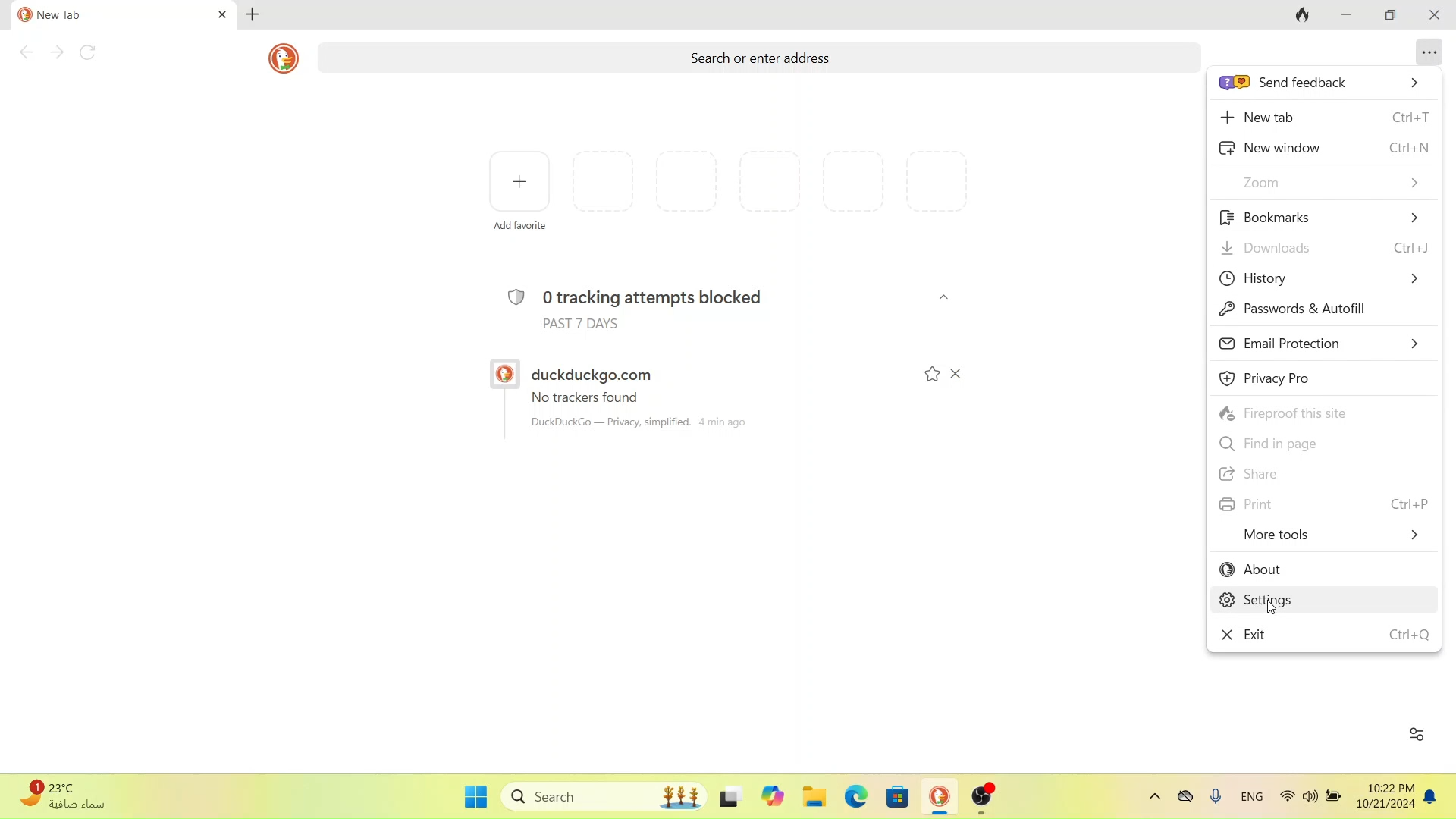 Image resolution: width=1456 pixels, height=819 pixels. Describe the element at coordinates (93, 15) in the screenshot. I see `current tab` at that location.